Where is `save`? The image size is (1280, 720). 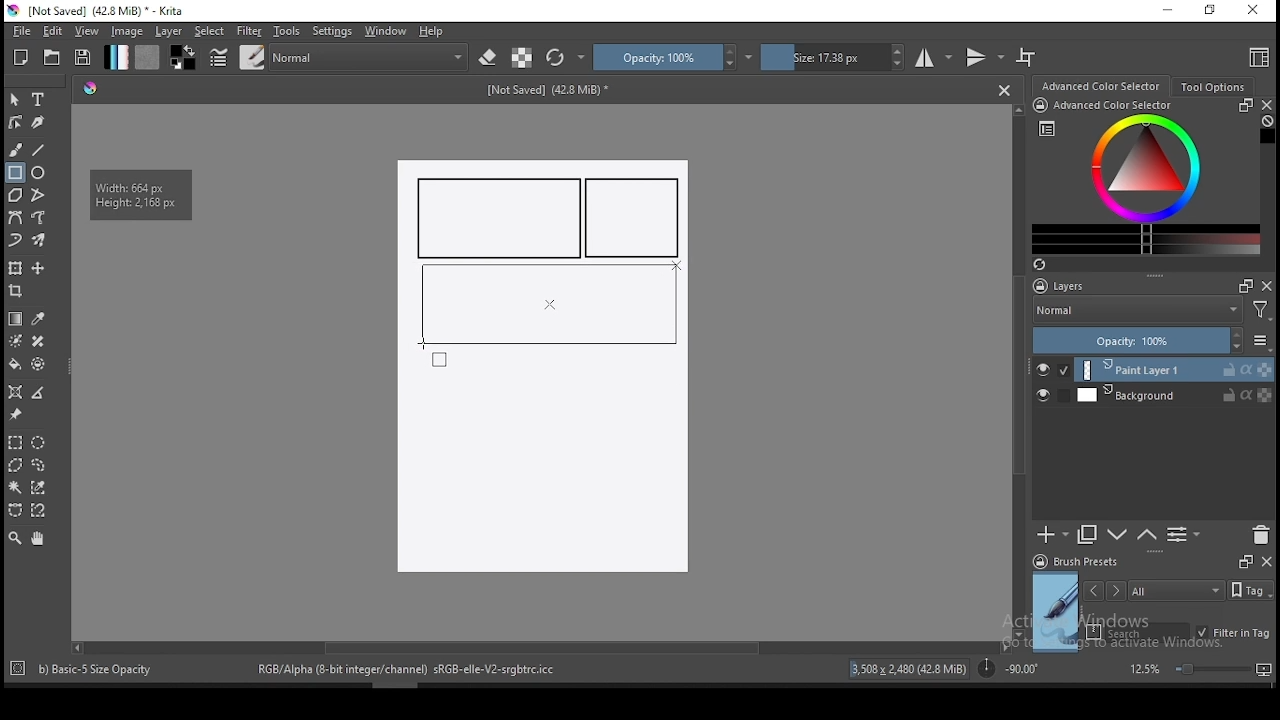
save is located at coordinates (83, 58).